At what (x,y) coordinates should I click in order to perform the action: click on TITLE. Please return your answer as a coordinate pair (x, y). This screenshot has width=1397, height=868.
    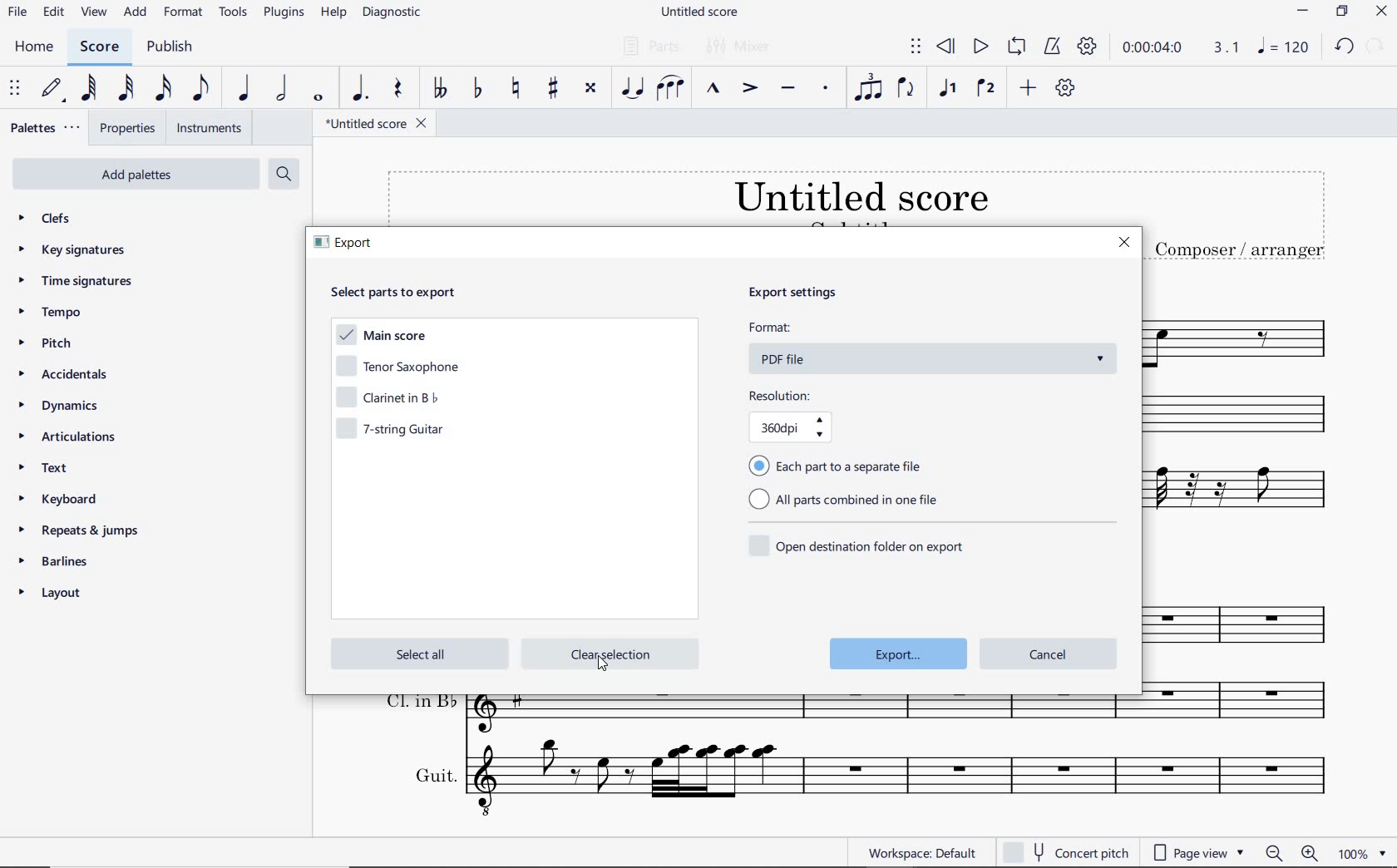
    Looking at the image, I should click on (758, 195).